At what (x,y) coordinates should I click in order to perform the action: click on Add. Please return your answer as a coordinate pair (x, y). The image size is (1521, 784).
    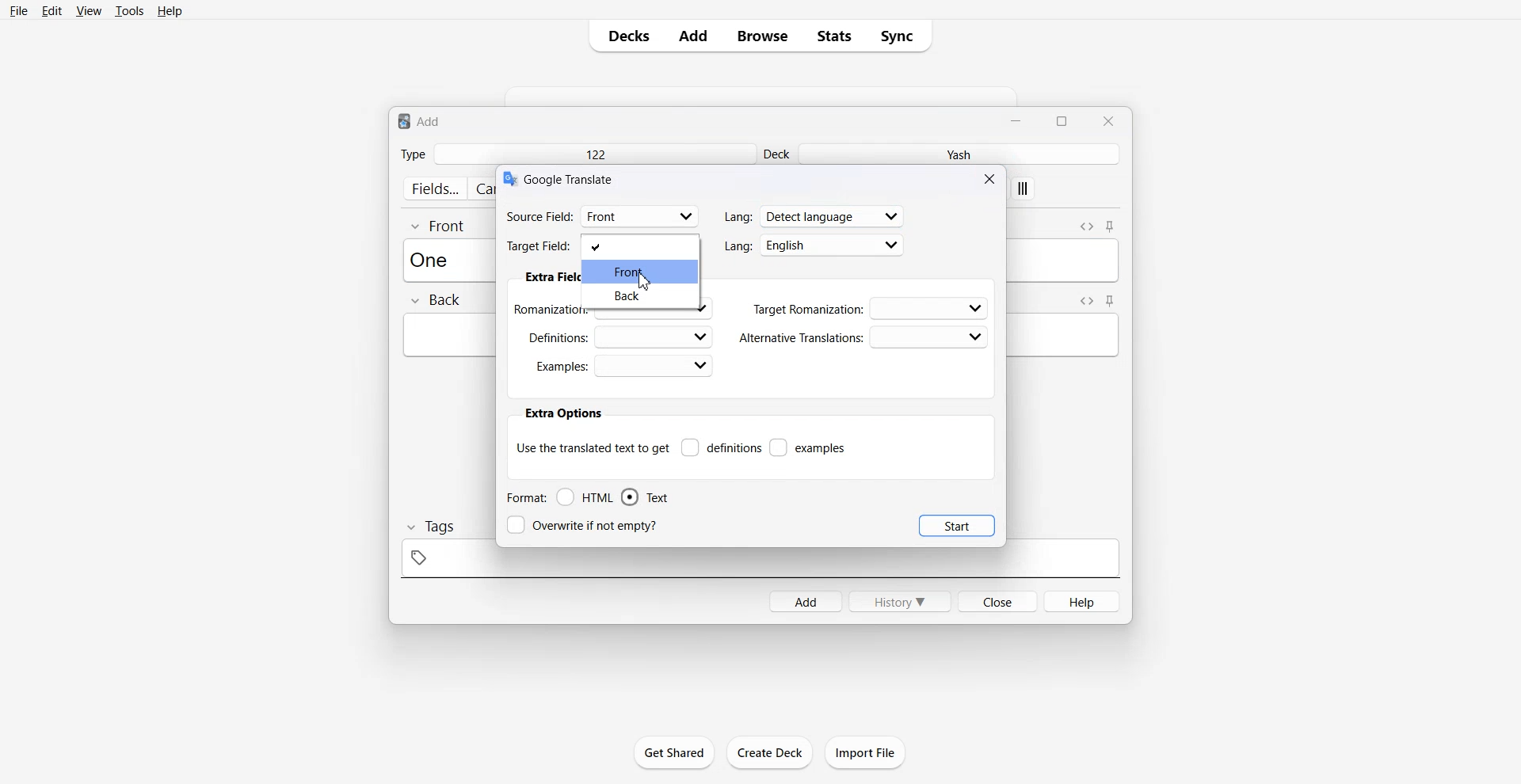
    Looking at the image, I should click on (693, 36).